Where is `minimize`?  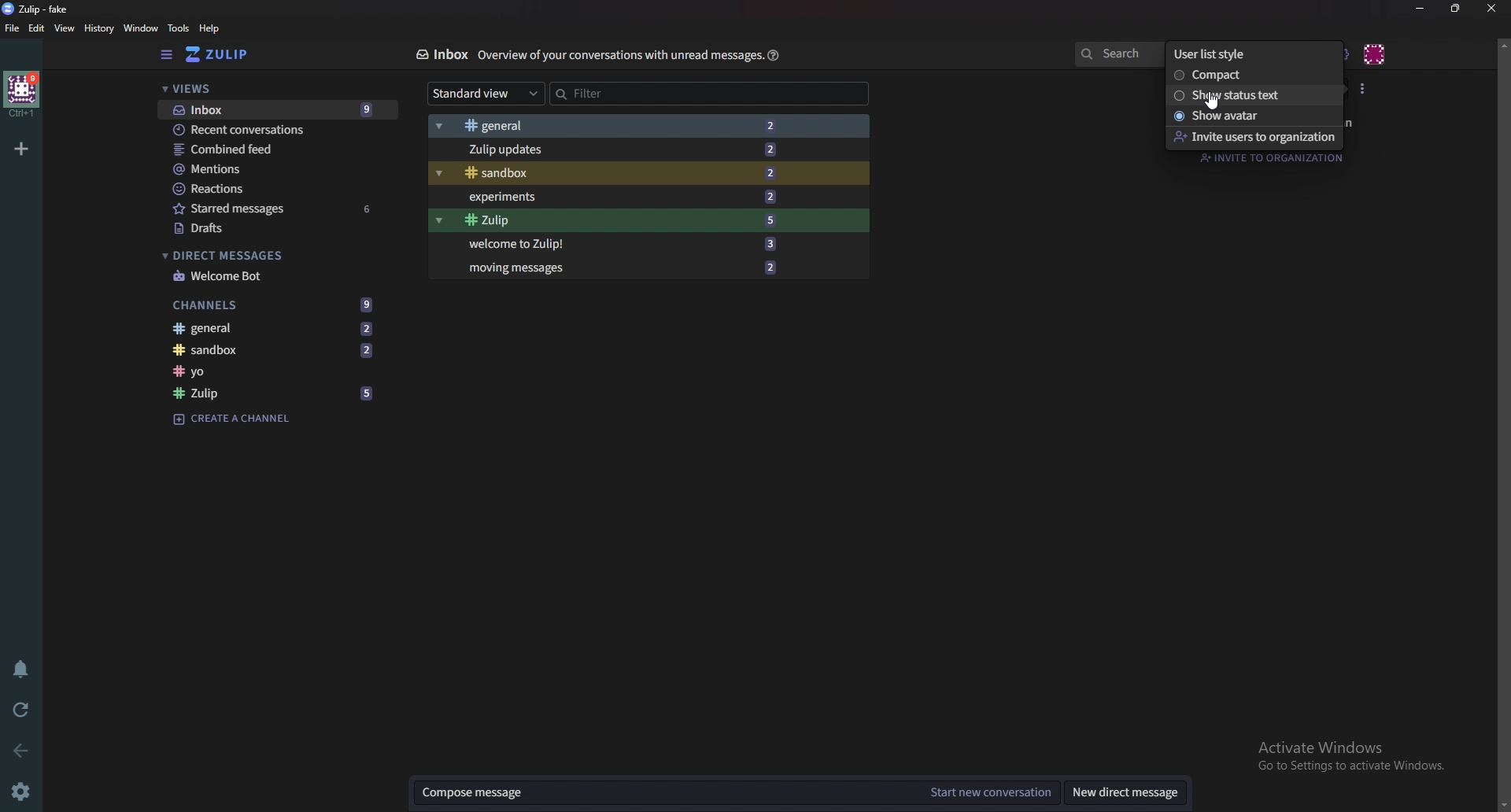 minimize is located at coordinates (1420, 9).